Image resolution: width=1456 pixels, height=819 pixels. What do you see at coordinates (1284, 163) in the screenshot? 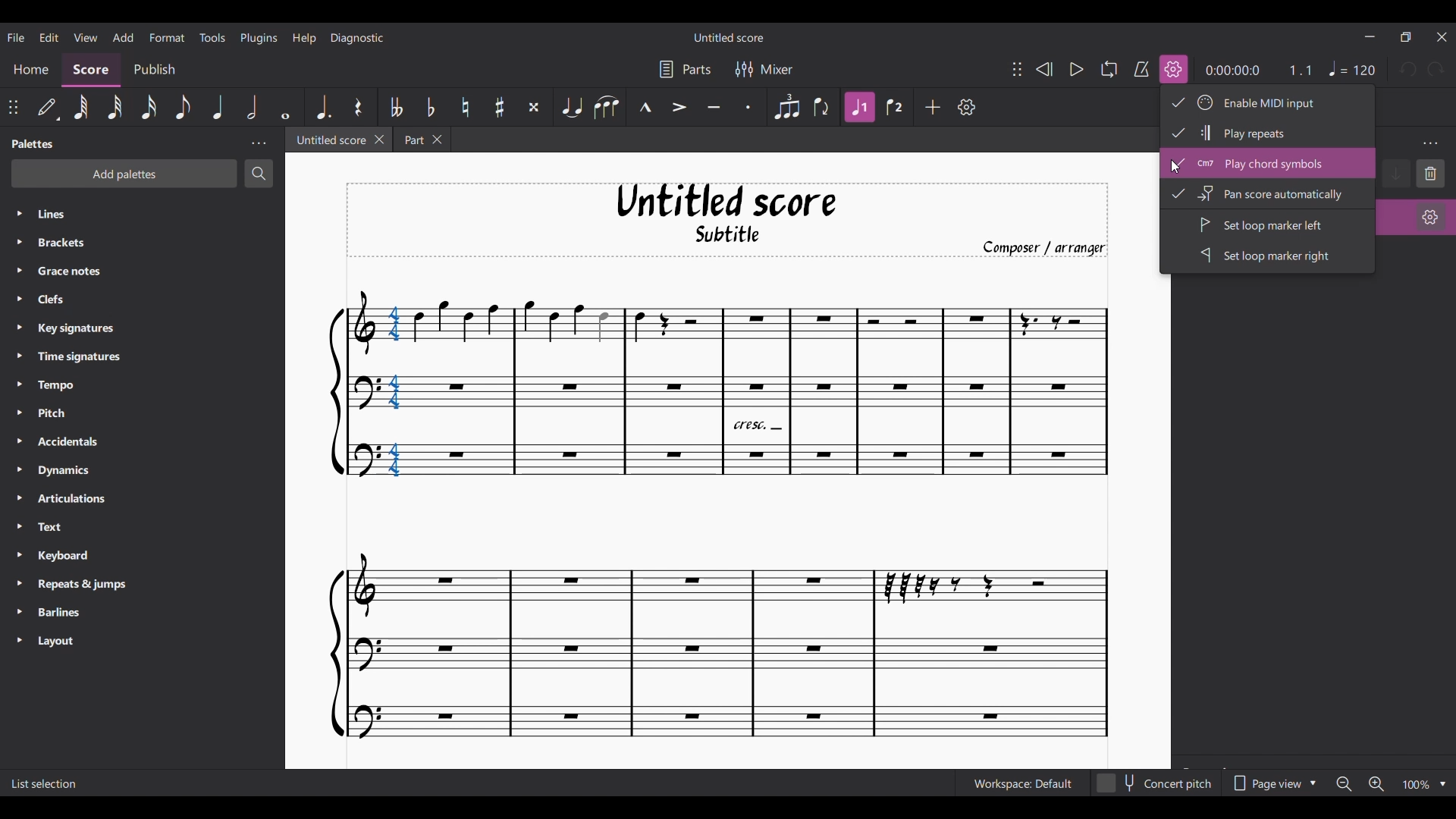
I see `Play chord symbols, highlighted` at bounding box center [1284, 163].